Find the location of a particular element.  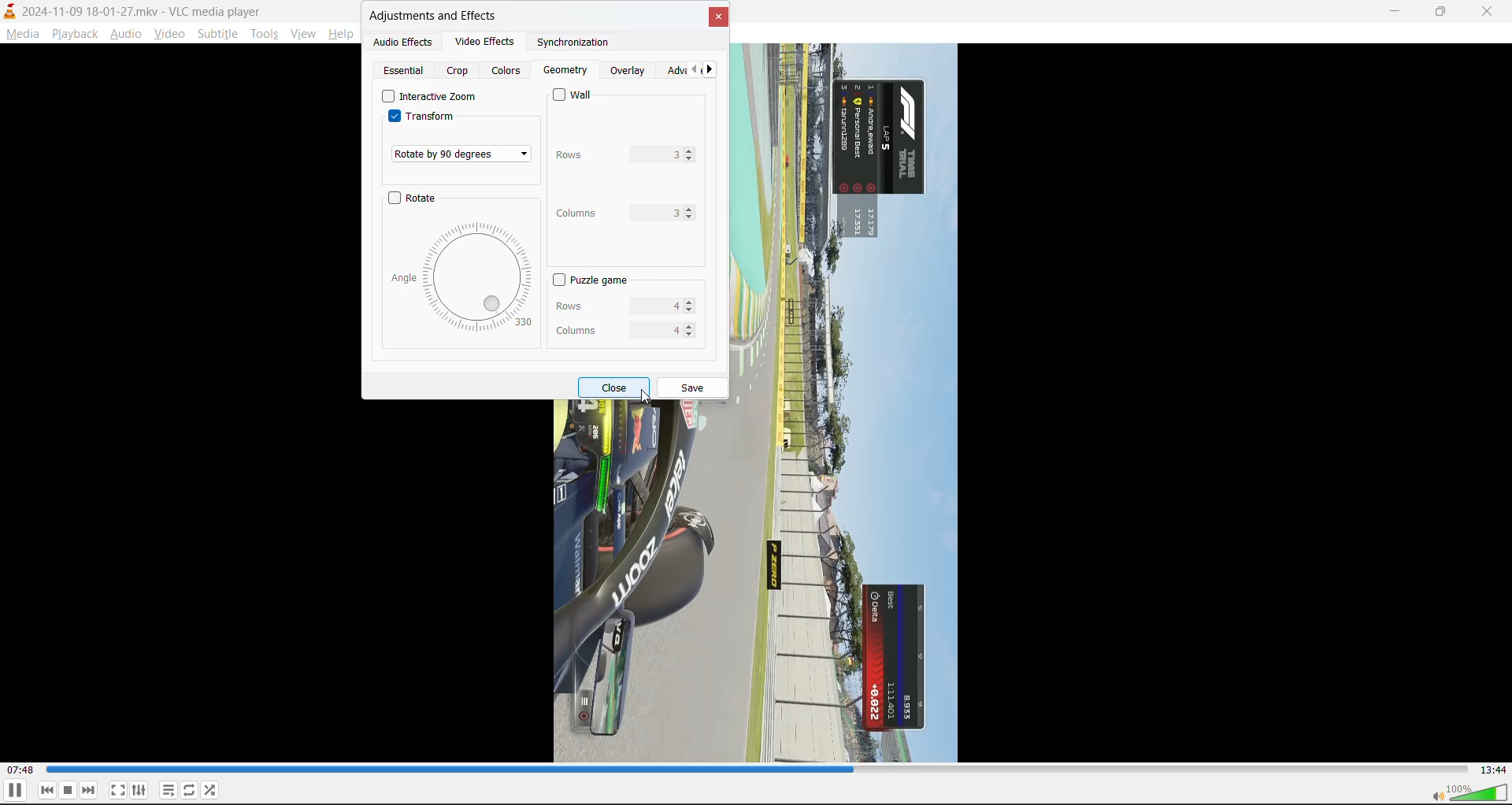

audio effects is located at coordinates (403, 41).